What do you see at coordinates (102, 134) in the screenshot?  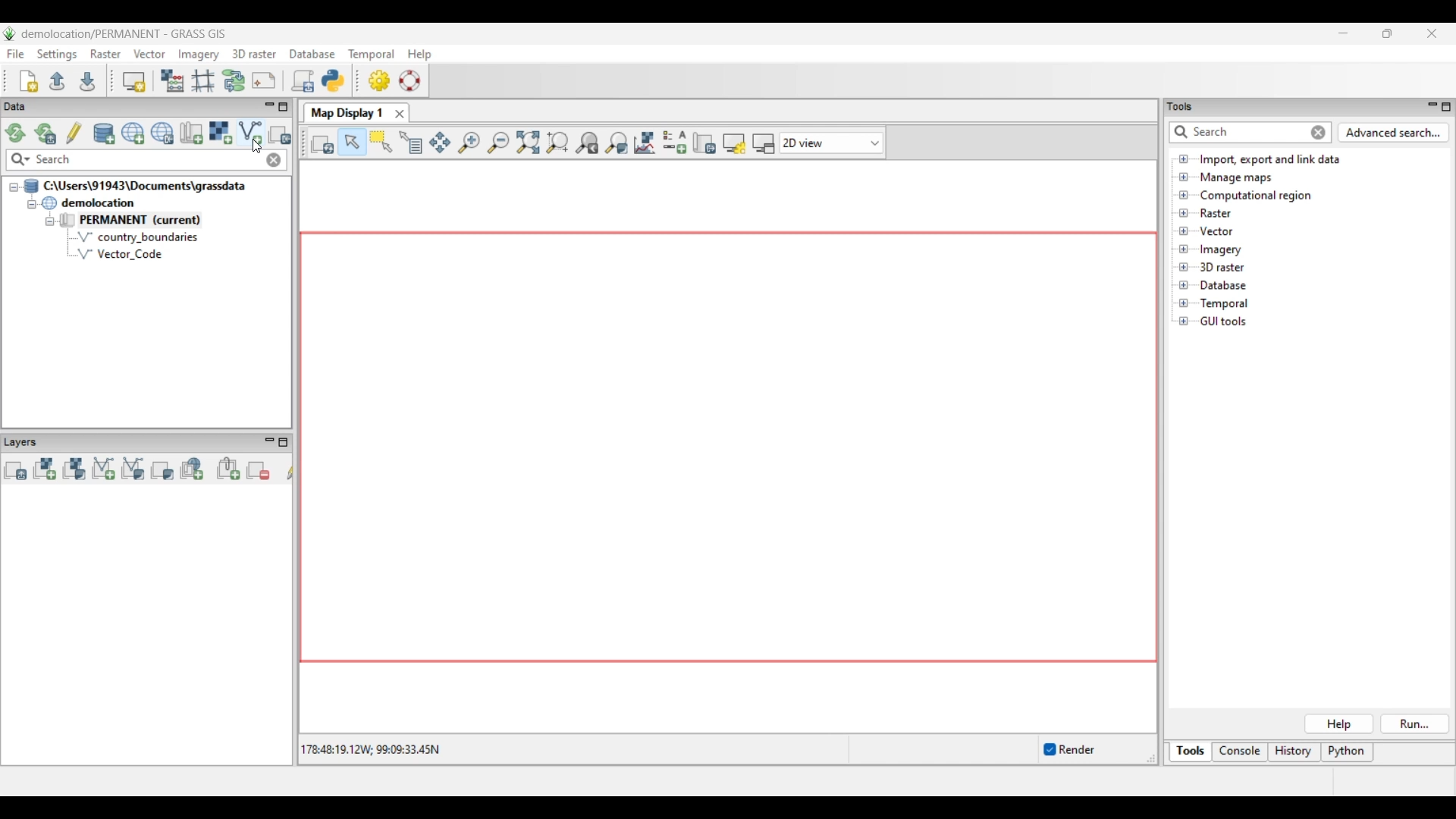 I see `Add existing or create new database` at bounding box center [102, 134].